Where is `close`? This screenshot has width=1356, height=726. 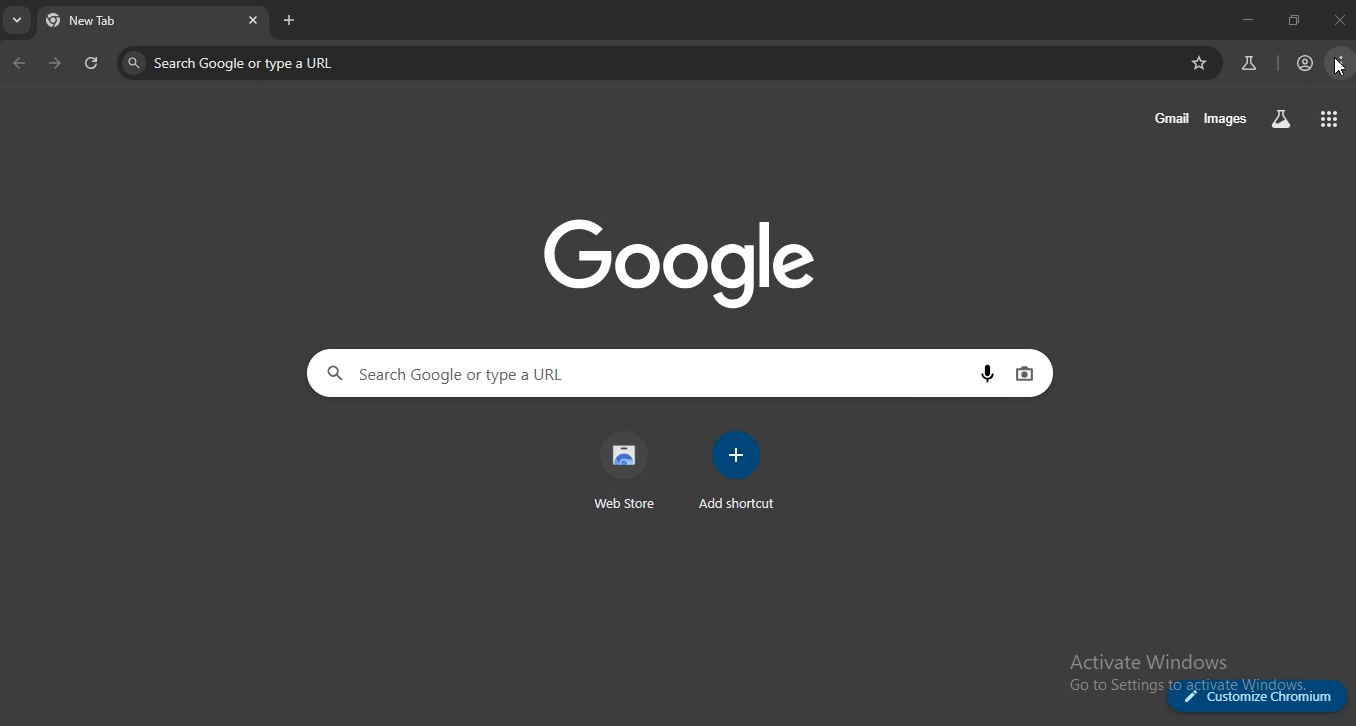
close is located at coordinates (1340, 20).